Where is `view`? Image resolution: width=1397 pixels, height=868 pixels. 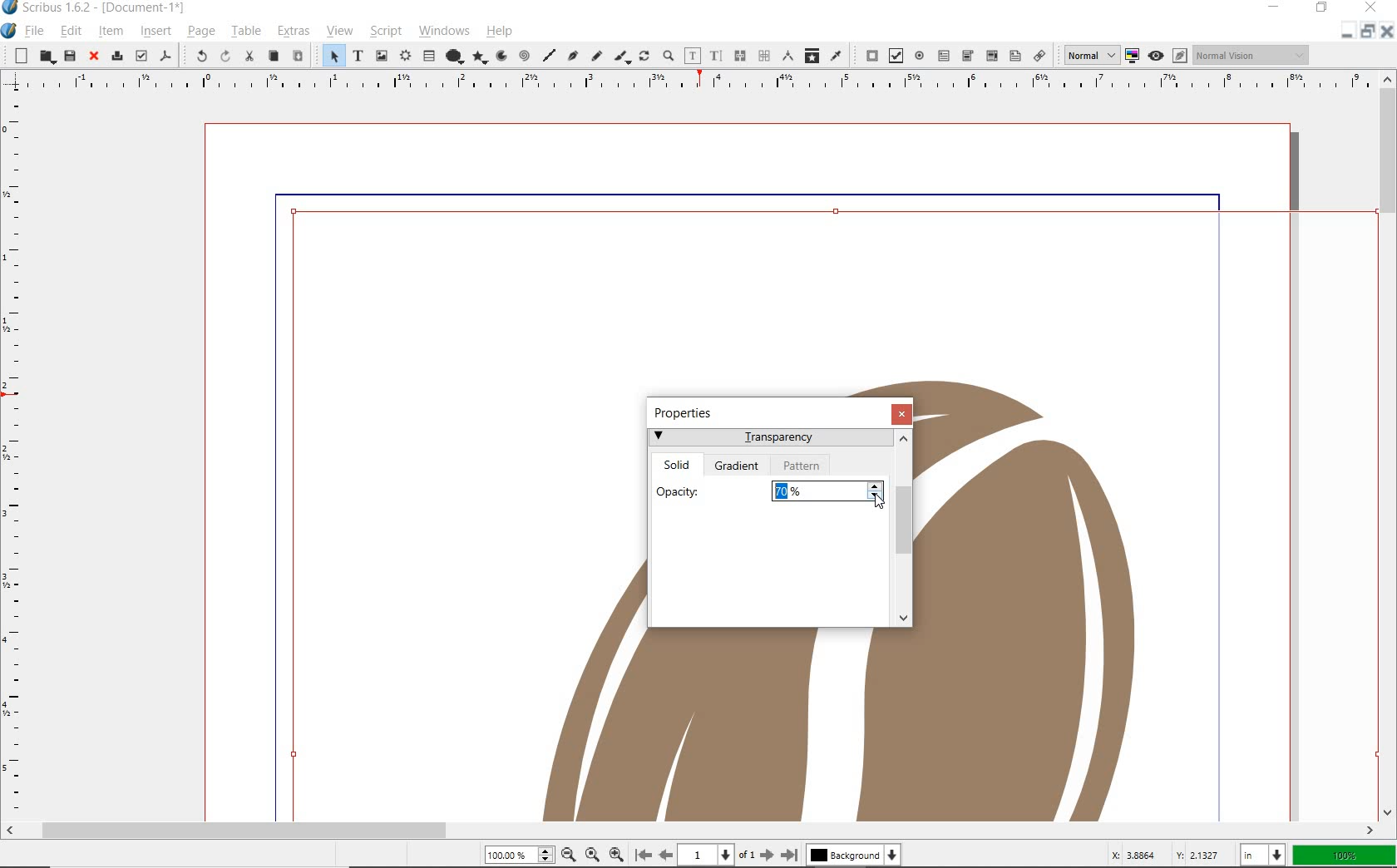
view is located at coordinates (338, 32).